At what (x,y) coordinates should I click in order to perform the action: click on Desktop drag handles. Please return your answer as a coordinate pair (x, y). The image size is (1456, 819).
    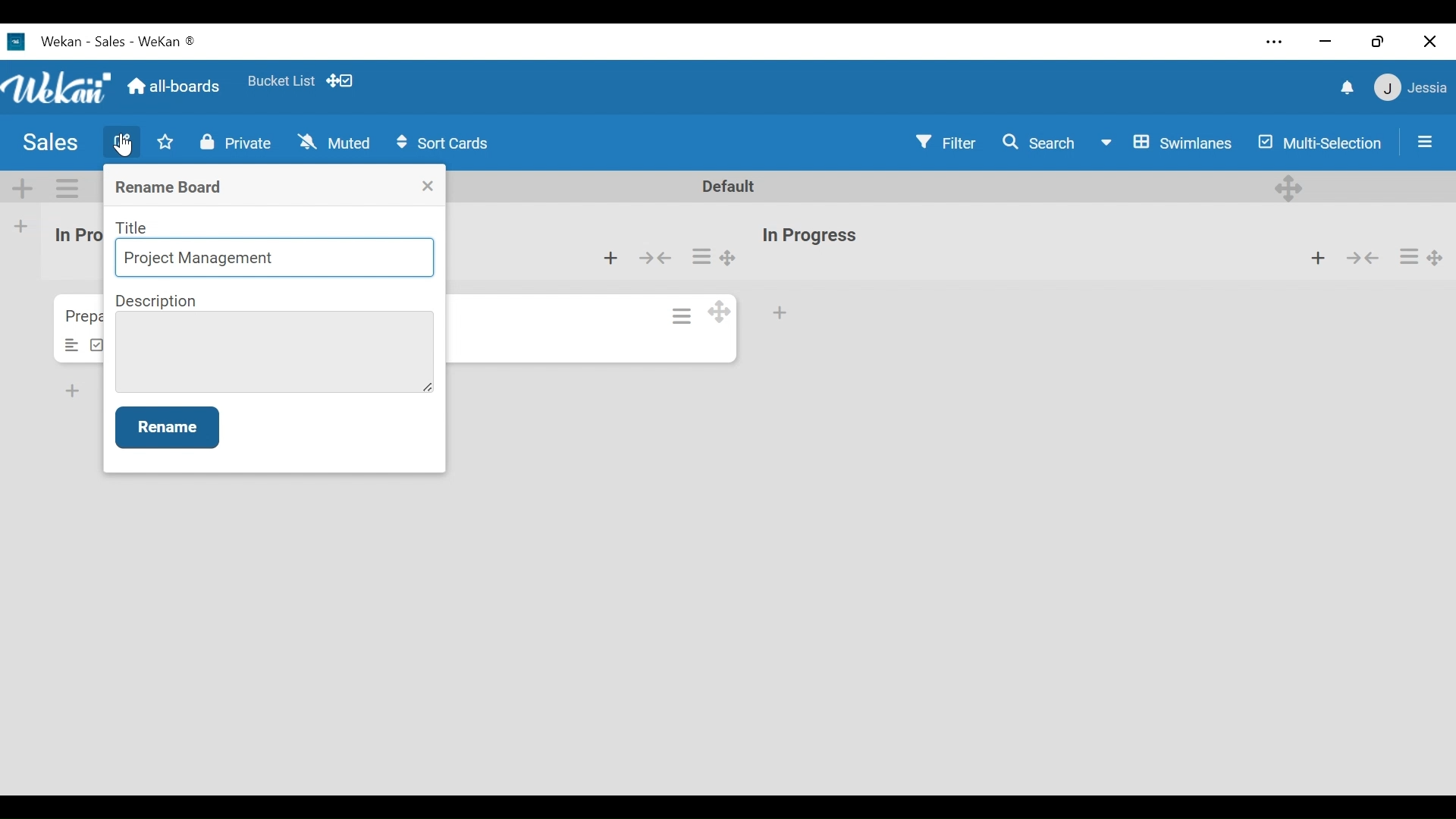
    Looking at the image, I should click on (727, 257).